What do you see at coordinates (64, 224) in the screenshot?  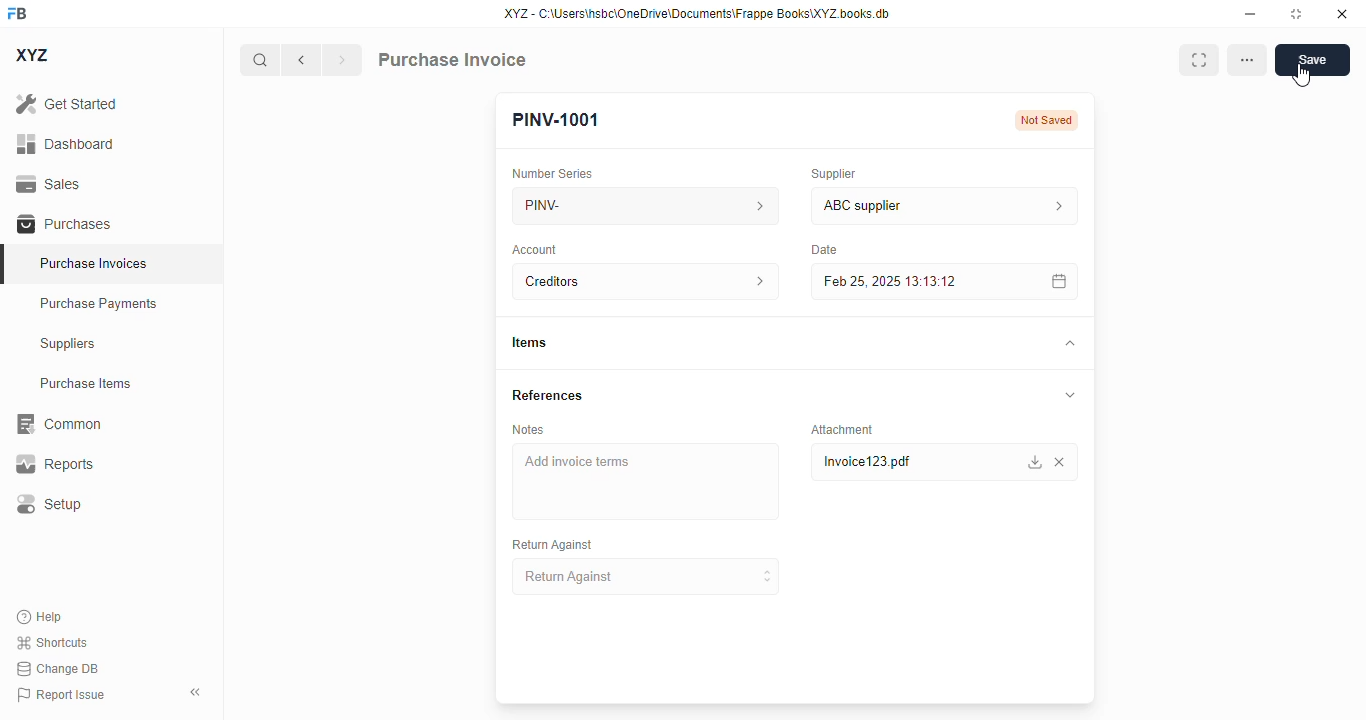 I see `purchases` at bounding box center [64, 224].